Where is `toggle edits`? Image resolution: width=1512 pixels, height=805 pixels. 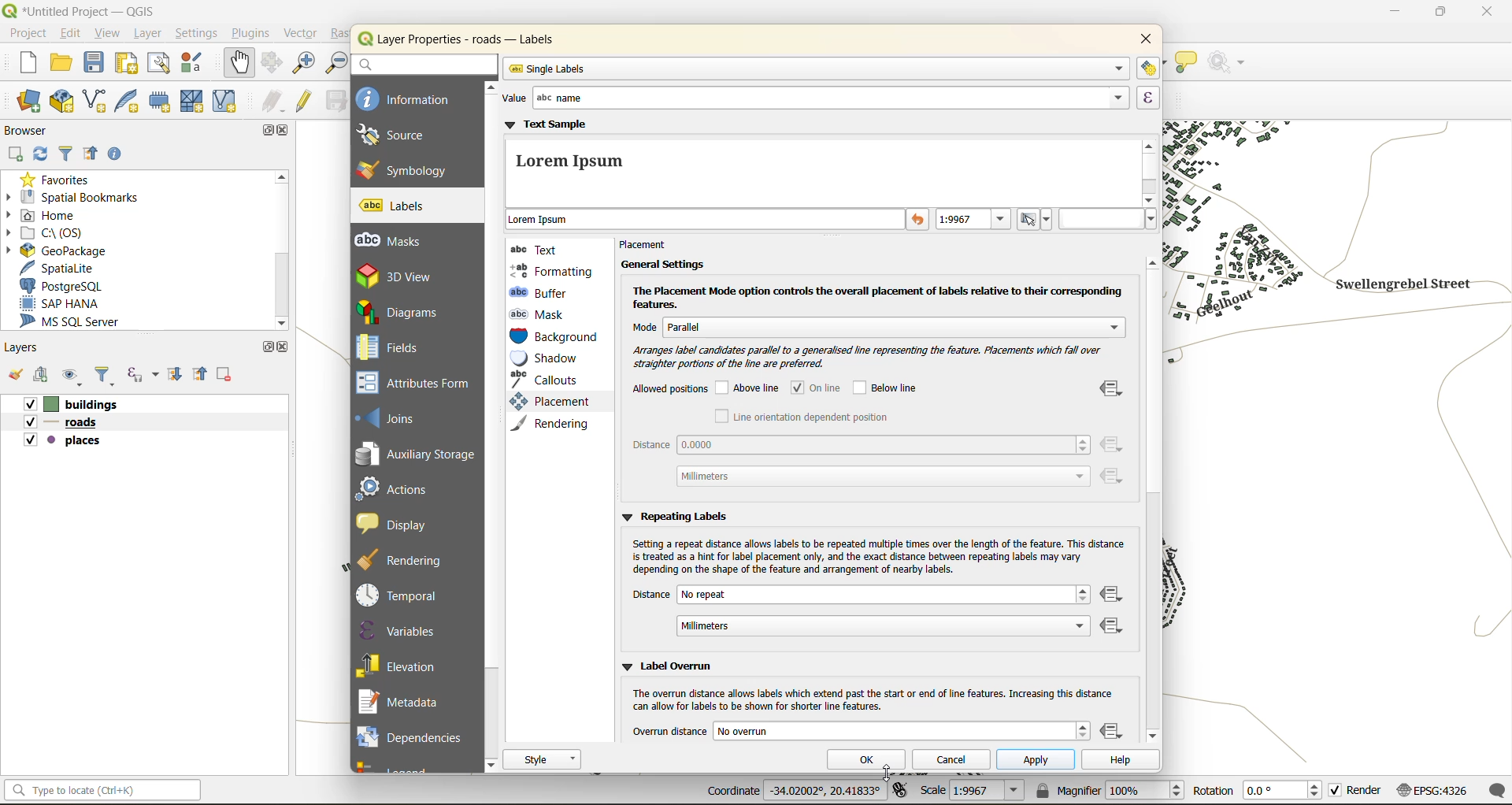
toggle edits is located at coordinates (307, 102).